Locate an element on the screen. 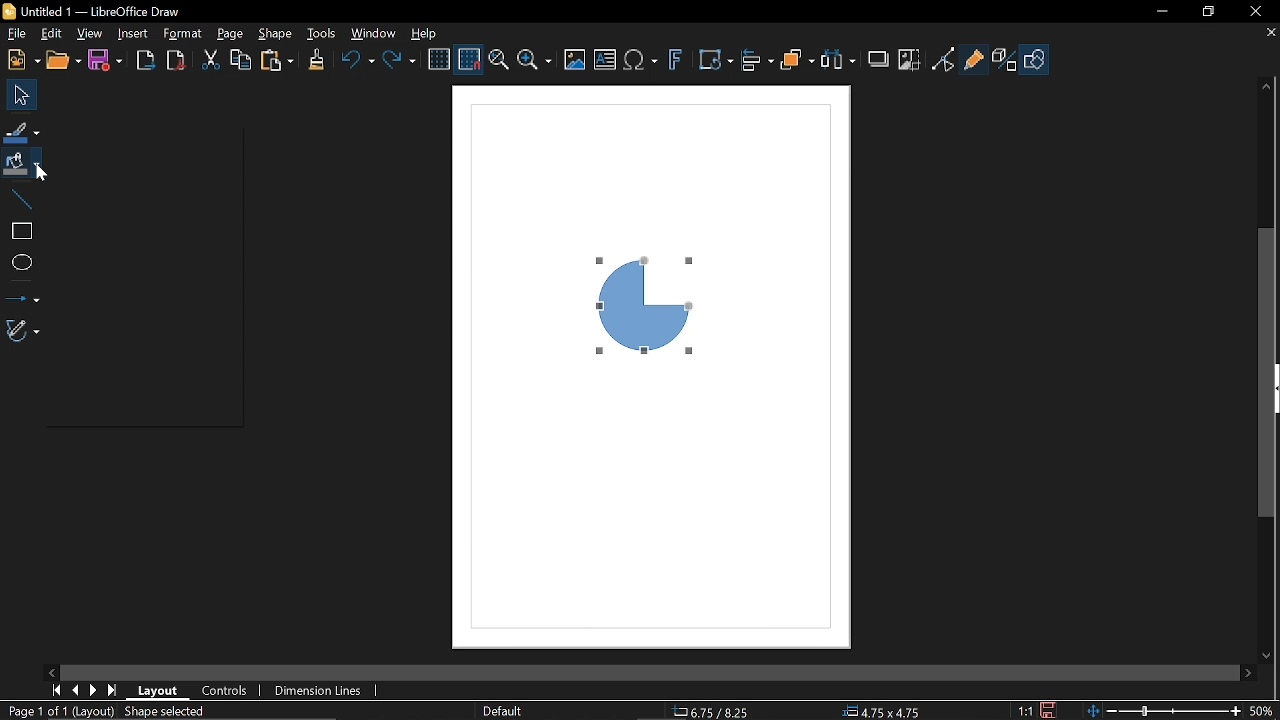 This screenshot has width=1280, height=720. Close tab is located at coordinates (1270, 34).